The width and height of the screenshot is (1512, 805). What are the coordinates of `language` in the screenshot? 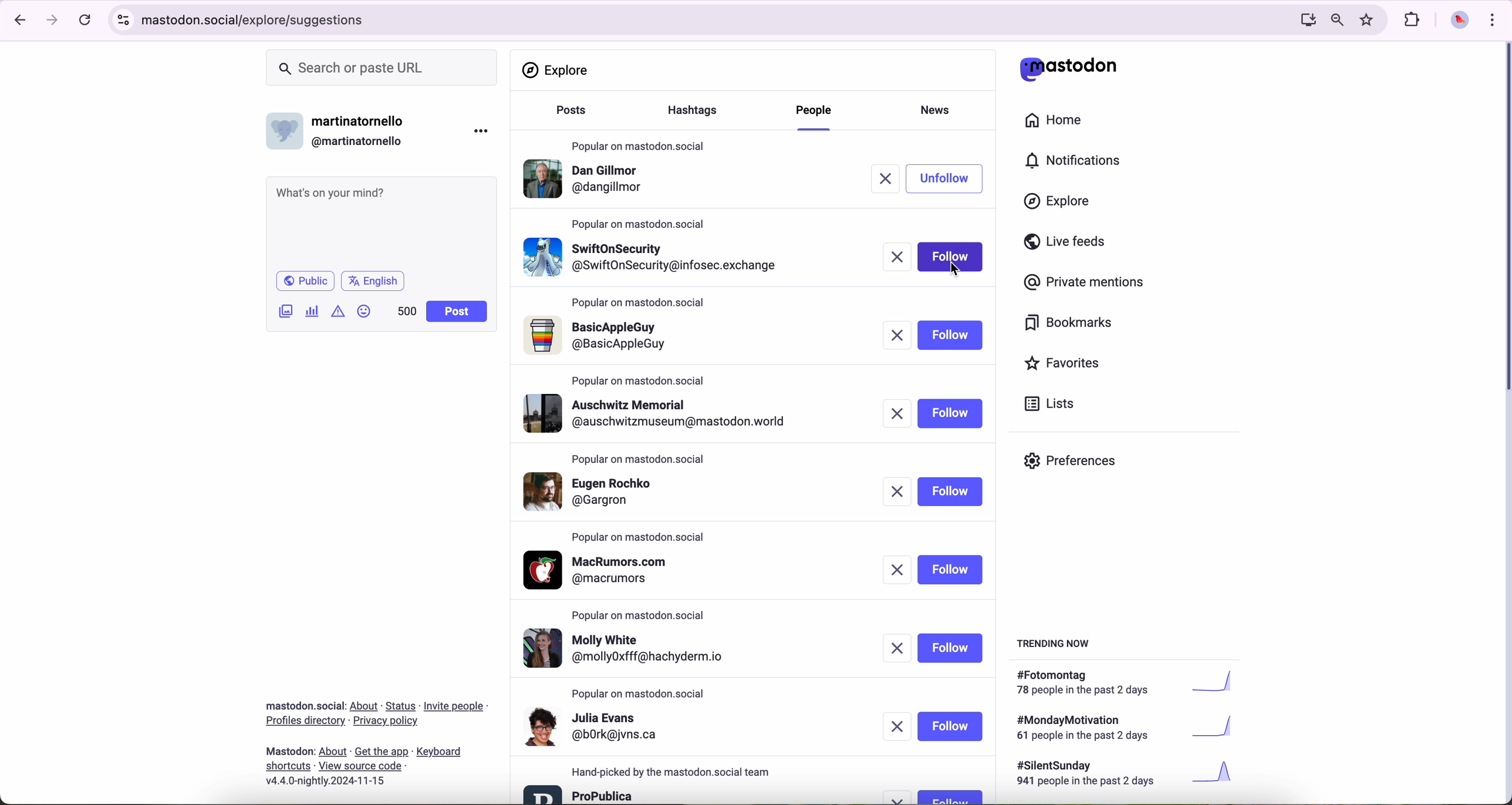 It's located at (373, 280).